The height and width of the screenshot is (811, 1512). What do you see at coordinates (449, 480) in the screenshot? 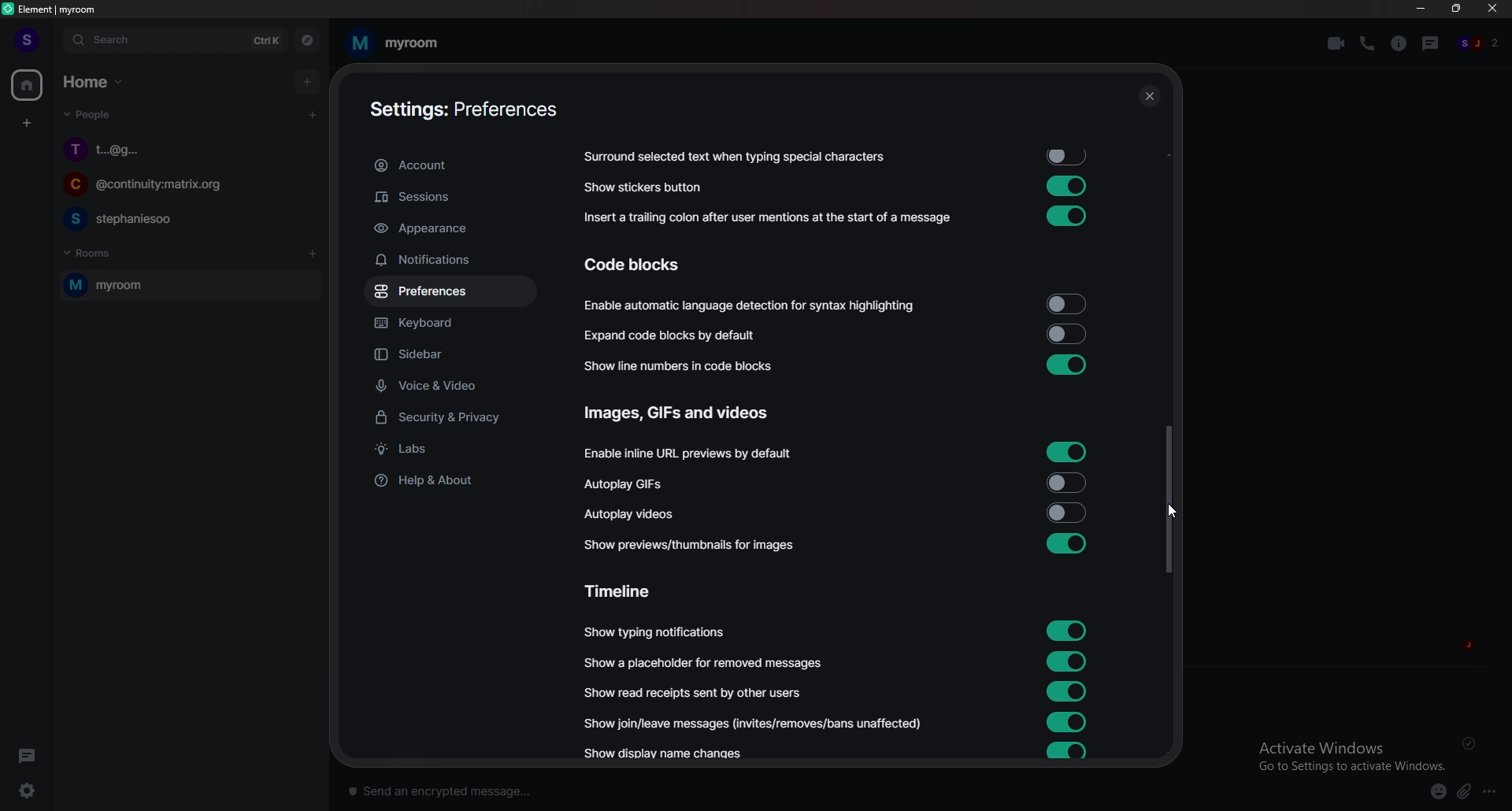
I see `help` at bounding box center [449, 480].